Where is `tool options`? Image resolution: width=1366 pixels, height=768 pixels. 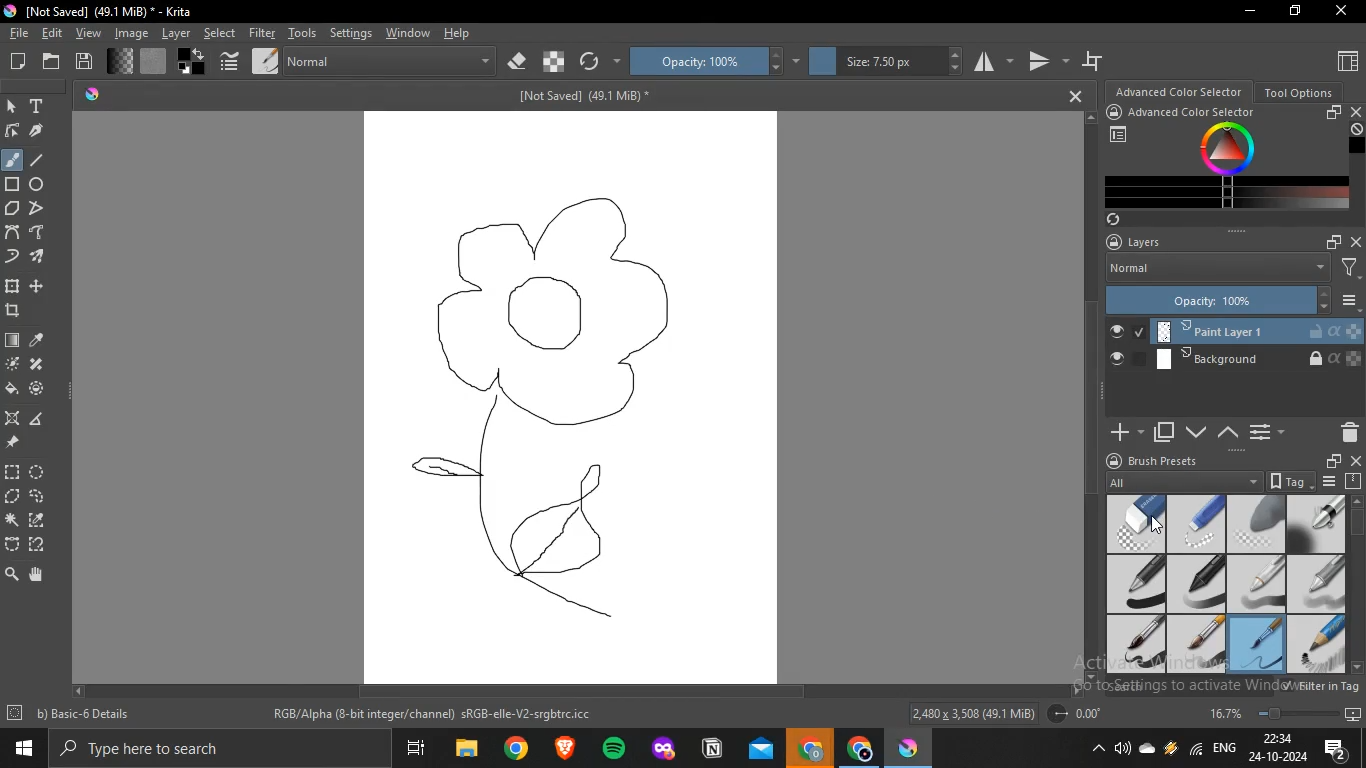
tool options is located at coordinates (1300, 91).